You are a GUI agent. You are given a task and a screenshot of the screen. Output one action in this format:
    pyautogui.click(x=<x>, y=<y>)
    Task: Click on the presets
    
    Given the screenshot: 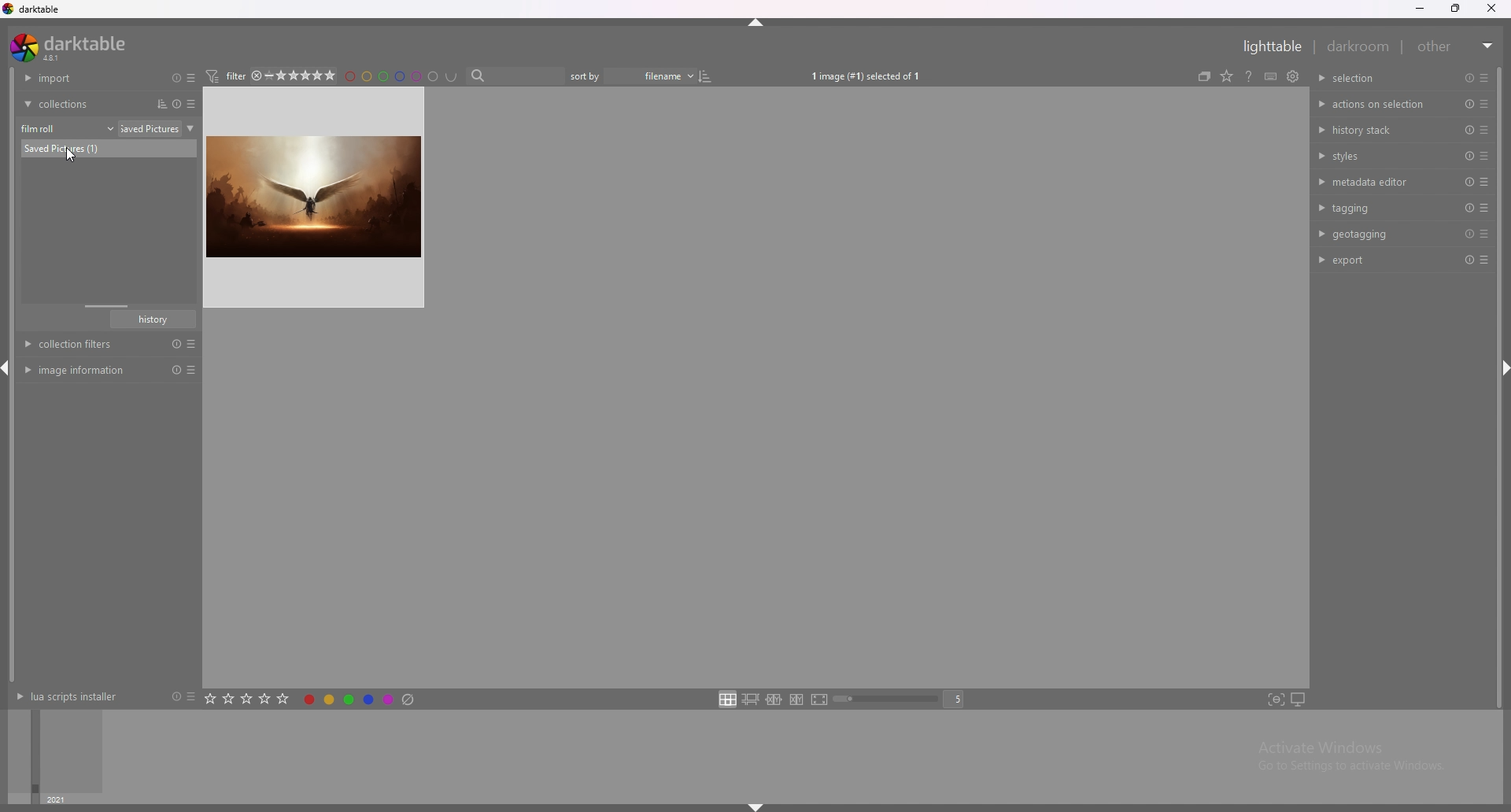 What is the action you would take?
    pyautogui.click(x=1484, y=234)
    